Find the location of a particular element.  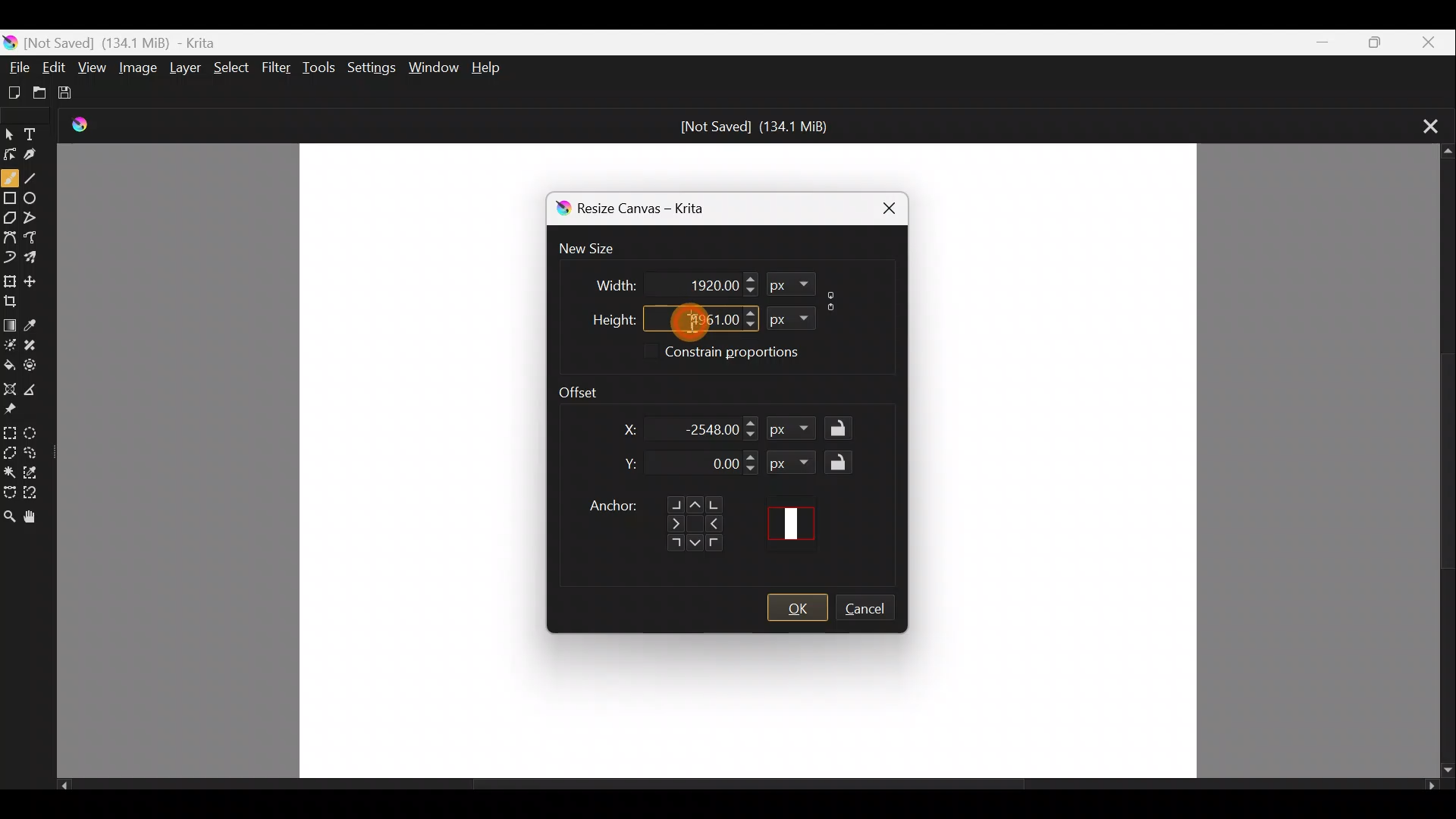

Window is located at coordinates (433, 65).